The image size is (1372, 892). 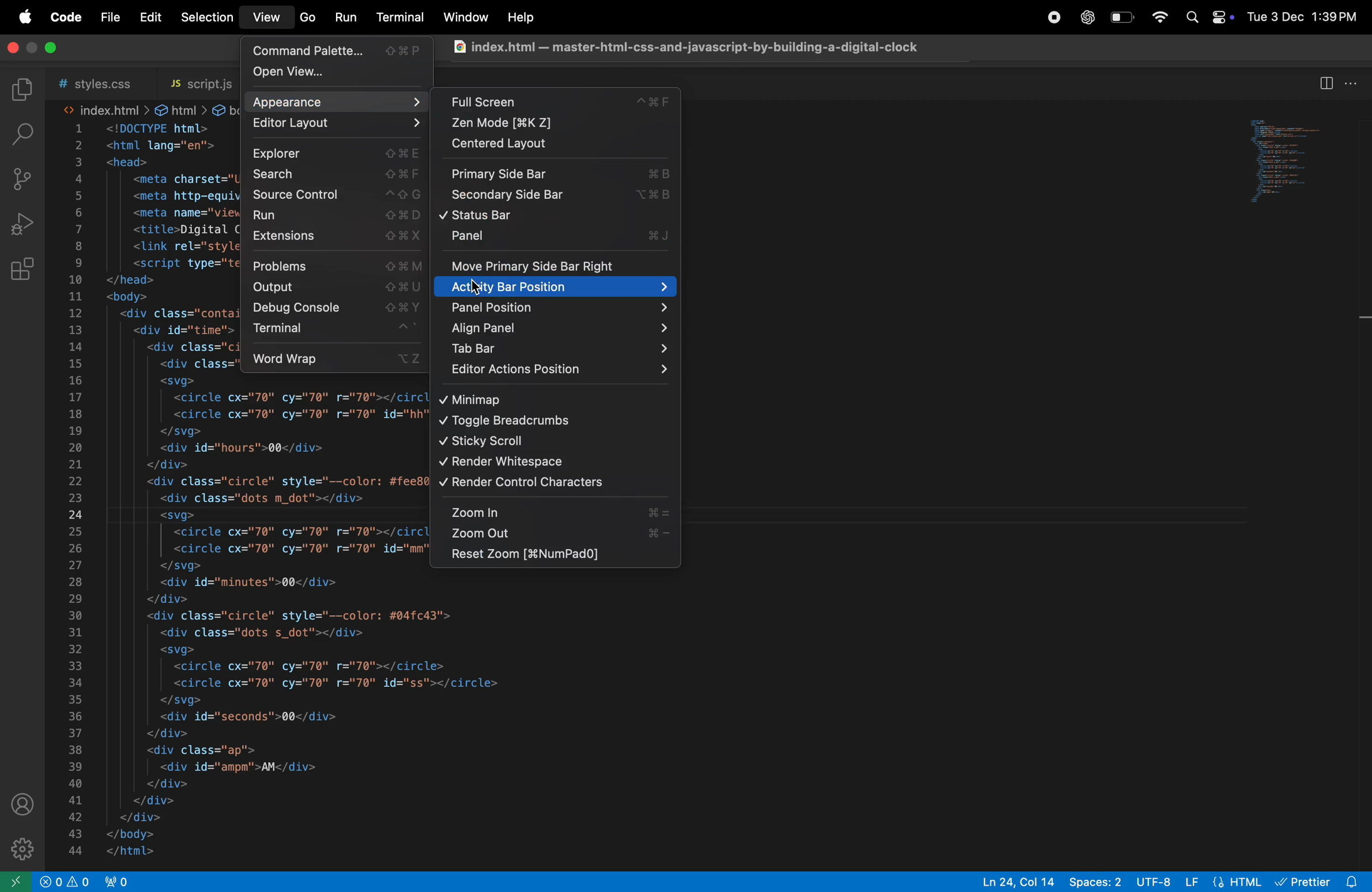 What do you see at coordinates (1155, 16) in the screenshot?
I see `wifi` at bounding box center [1155, 16].